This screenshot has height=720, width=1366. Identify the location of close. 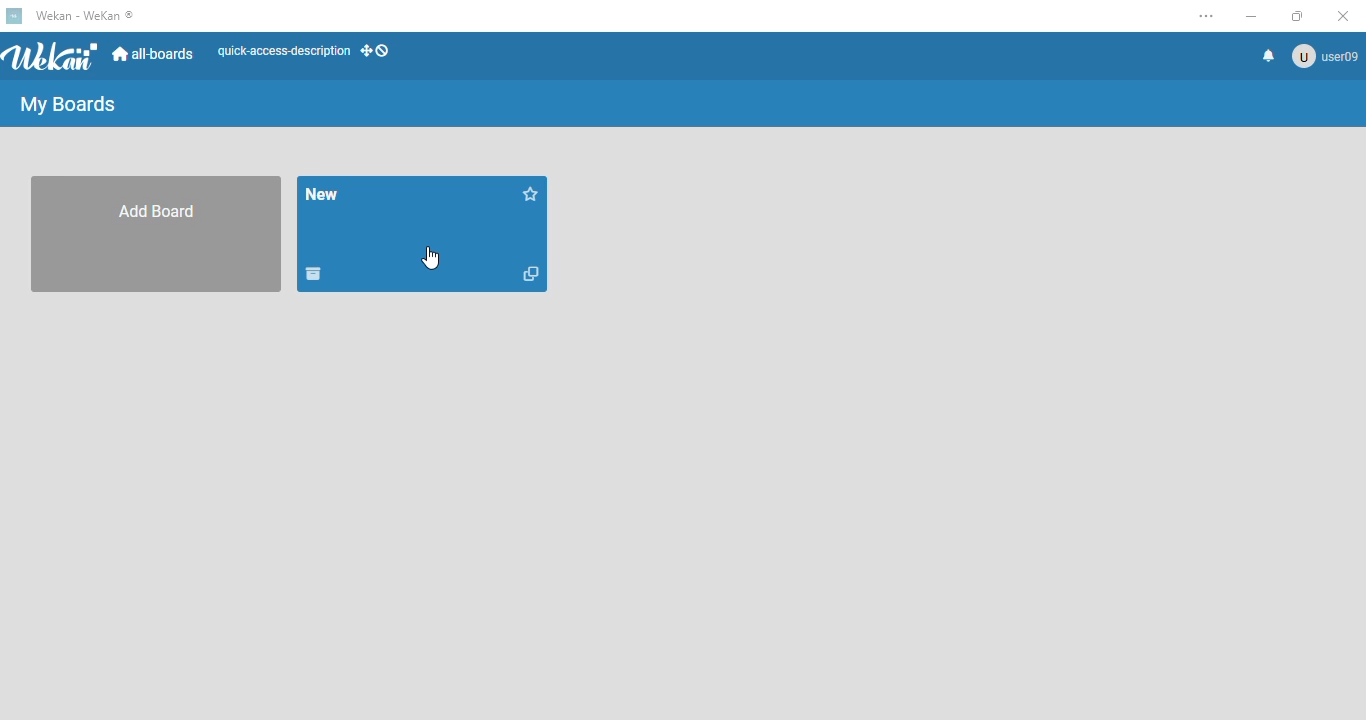
(1343, 17).